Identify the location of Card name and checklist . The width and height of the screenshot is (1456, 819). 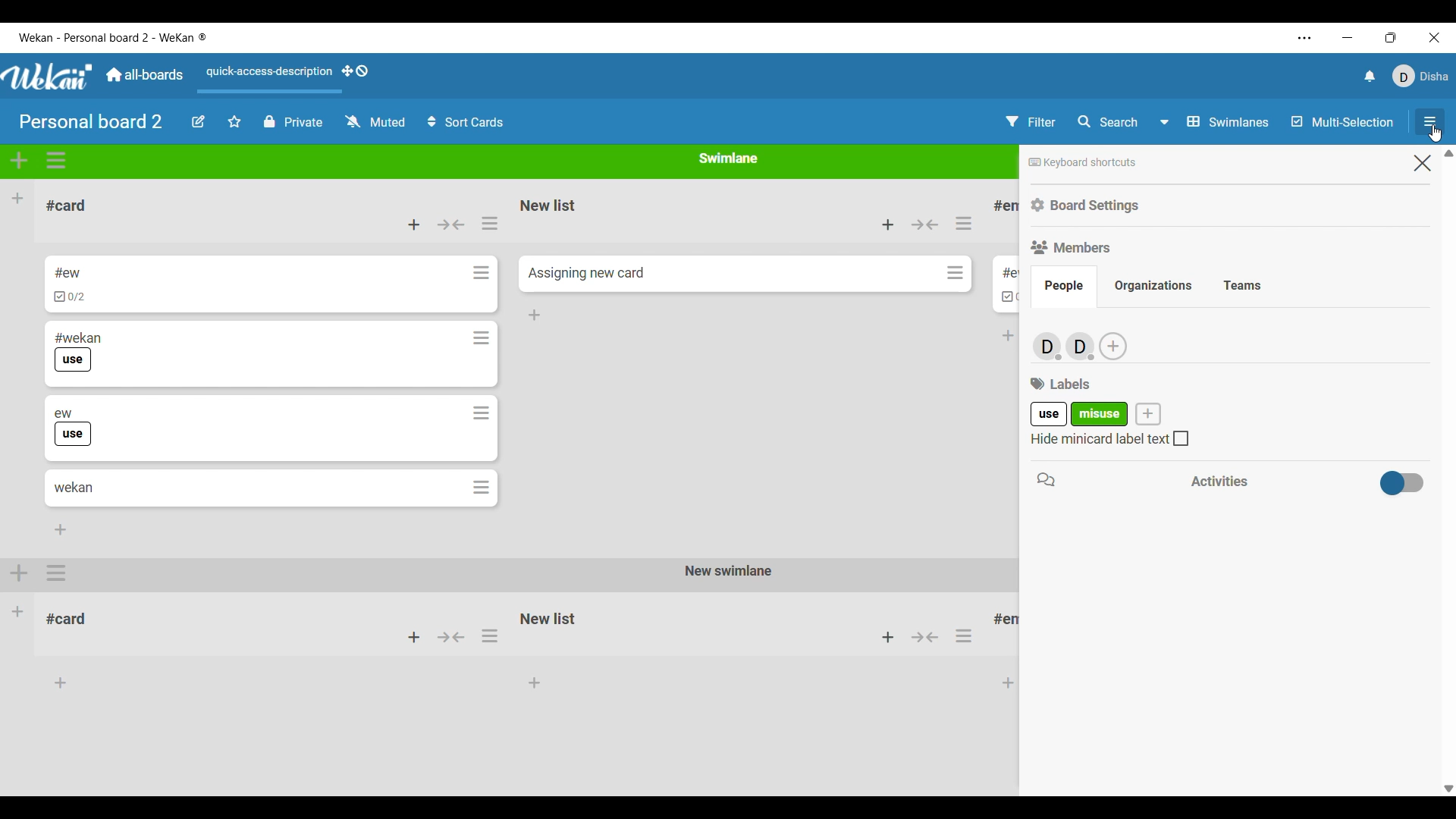
(69, 284).